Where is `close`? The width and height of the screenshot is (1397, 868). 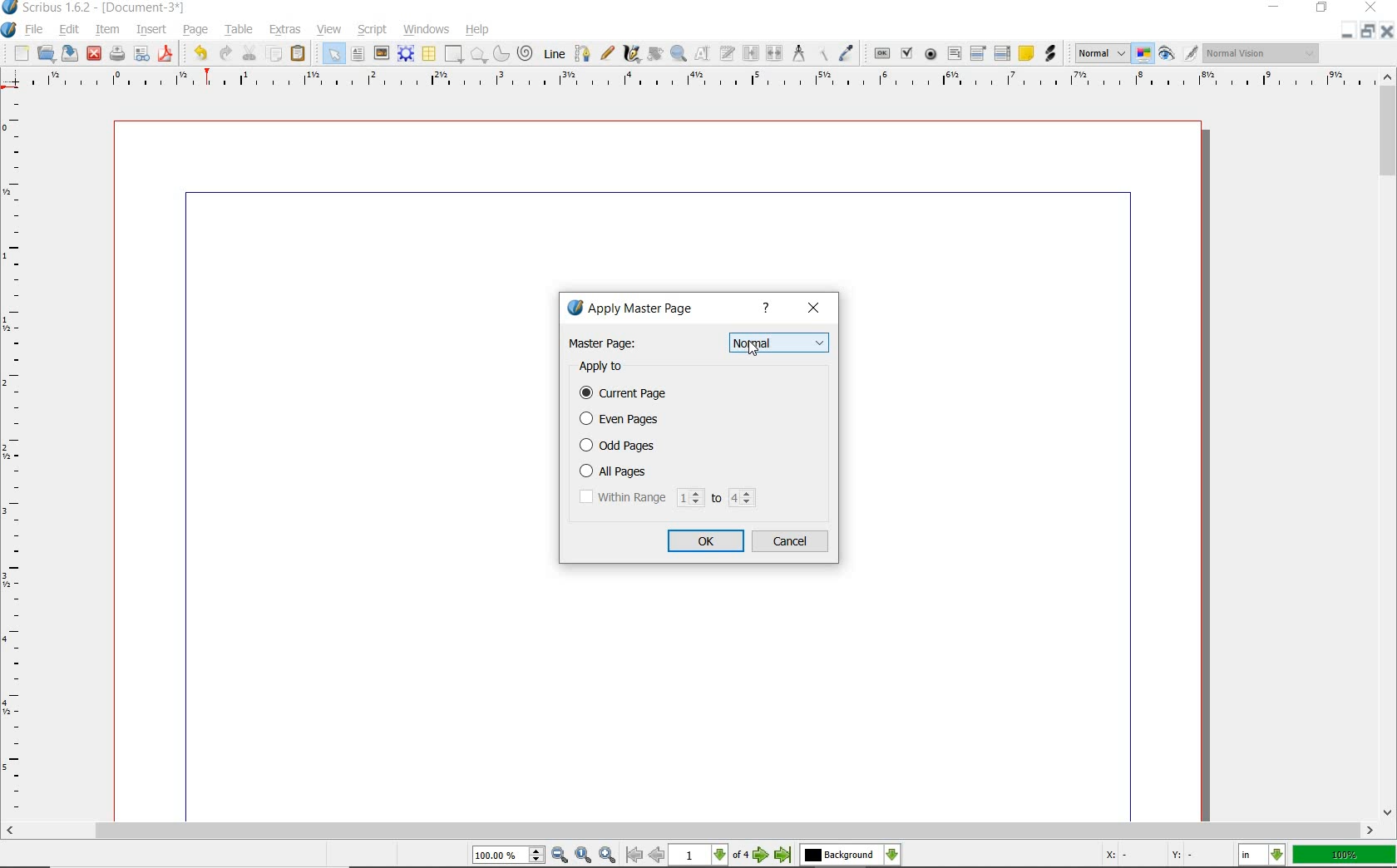 close is located at coordinates (95, 53).